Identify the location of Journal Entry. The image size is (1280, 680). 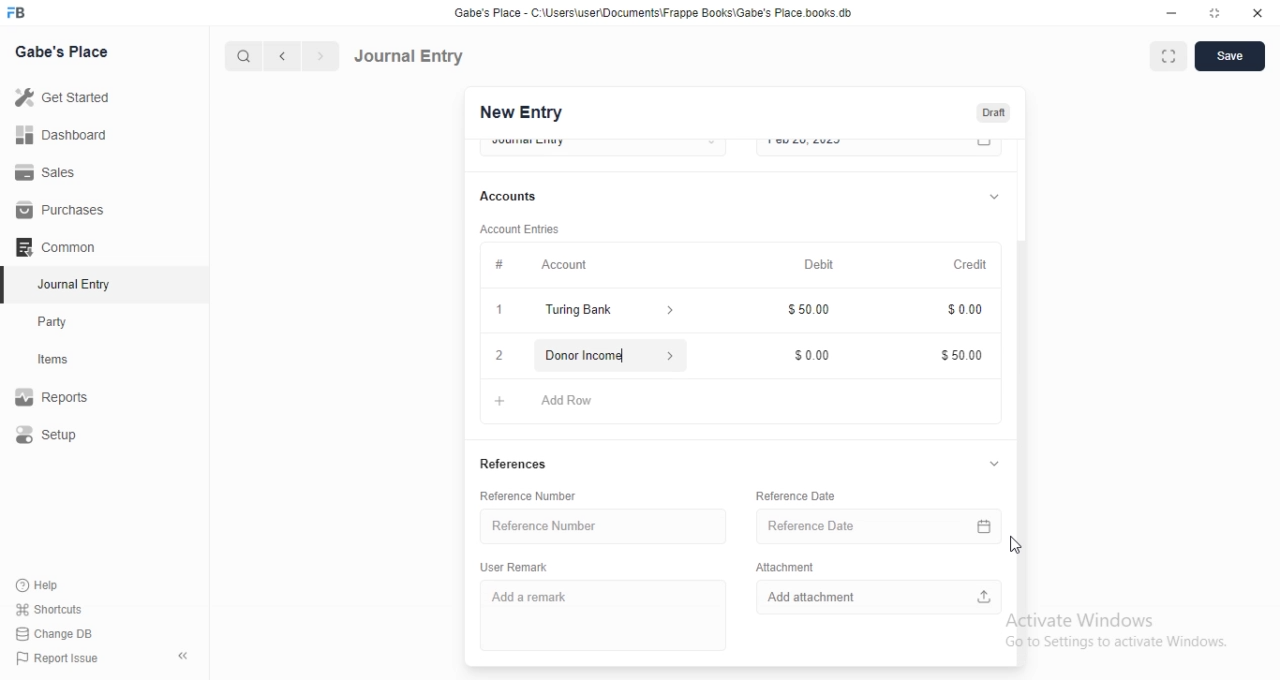
(65, 286).